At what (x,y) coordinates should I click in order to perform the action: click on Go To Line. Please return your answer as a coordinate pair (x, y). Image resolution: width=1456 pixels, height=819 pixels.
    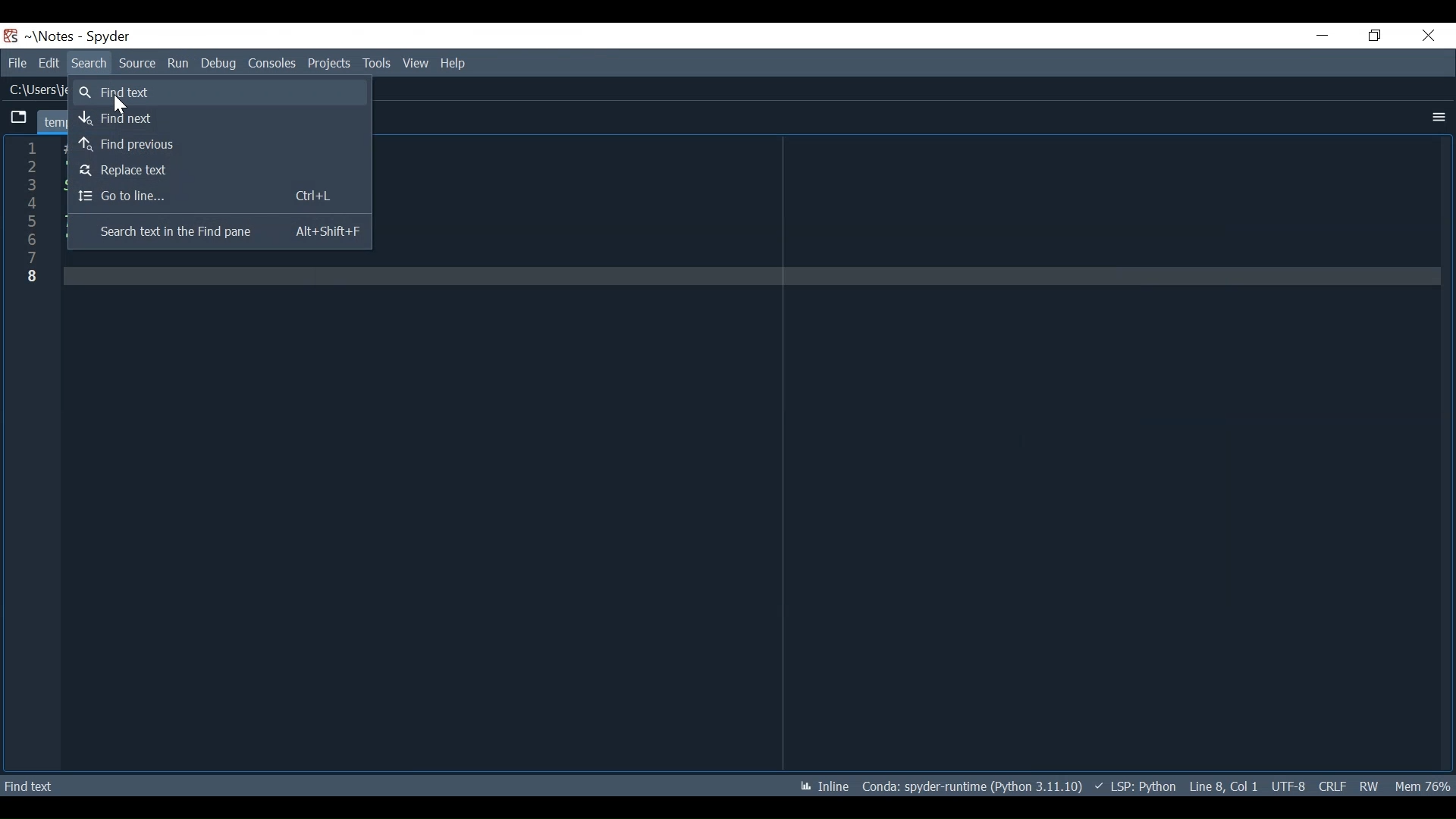
    Looking at the image, I should click on (215, 197).